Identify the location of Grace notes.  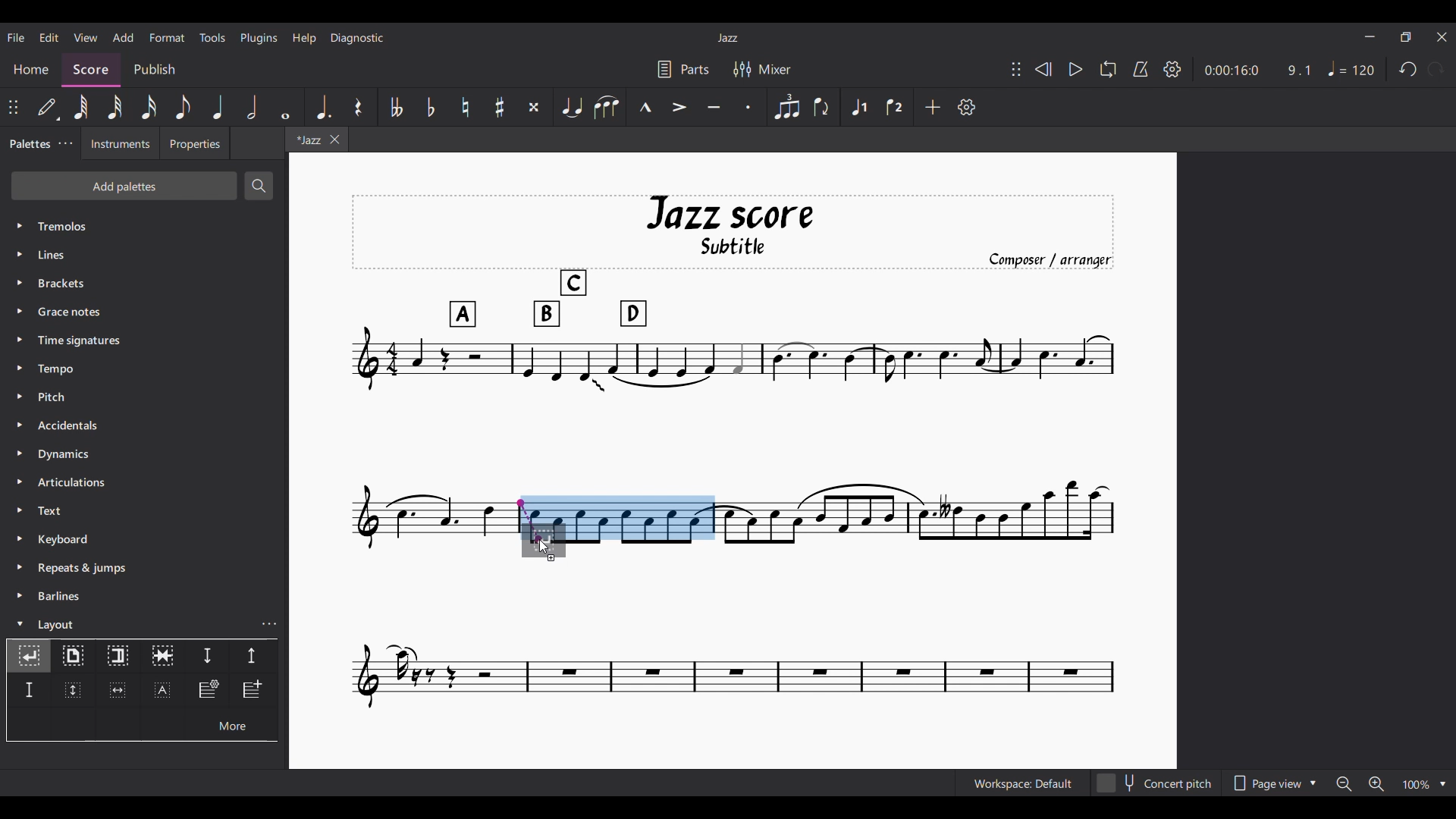
(144, 312).